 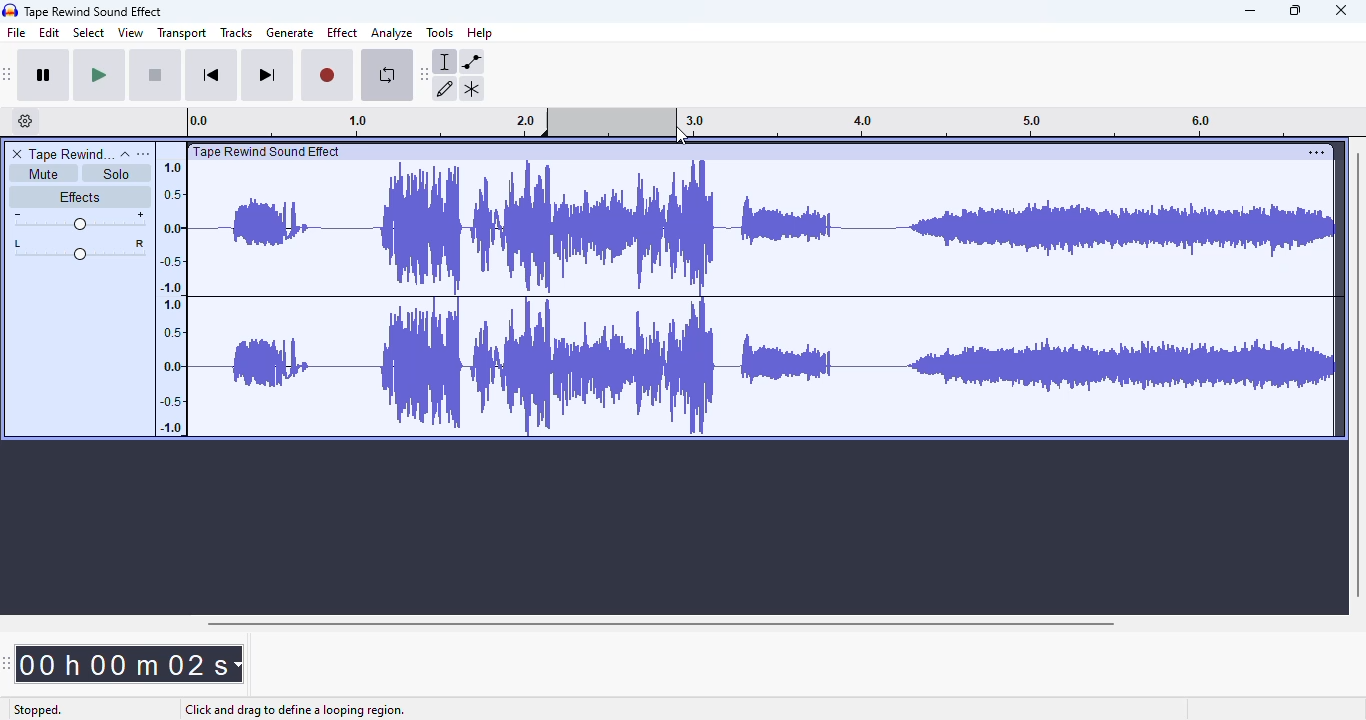 What do you see at coordinates (125, 154) in the screenshot?
I see `collapse` at bounding box center [125, 154].